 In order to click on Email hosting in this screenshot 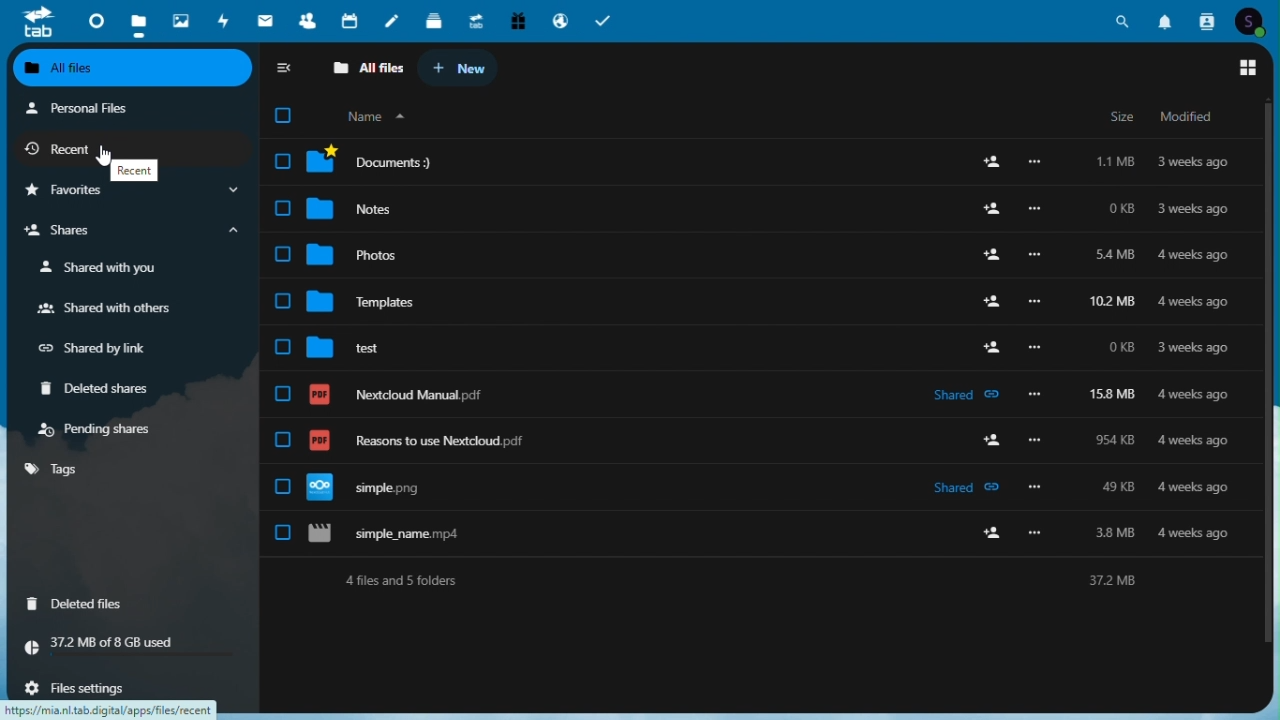, I will do `click(559, 21)`.